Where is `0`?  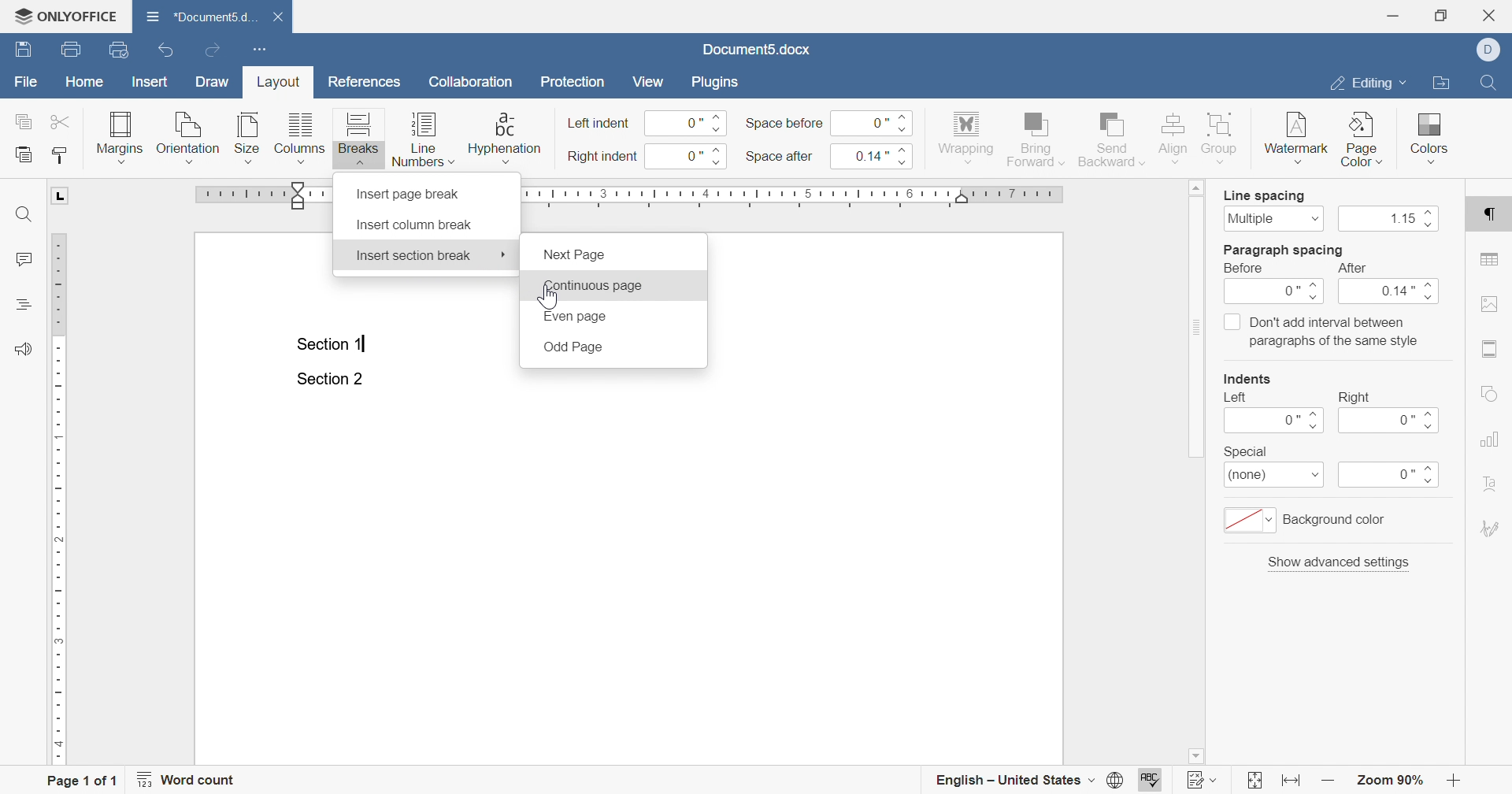
0 is located at coordinates (1390, 476).